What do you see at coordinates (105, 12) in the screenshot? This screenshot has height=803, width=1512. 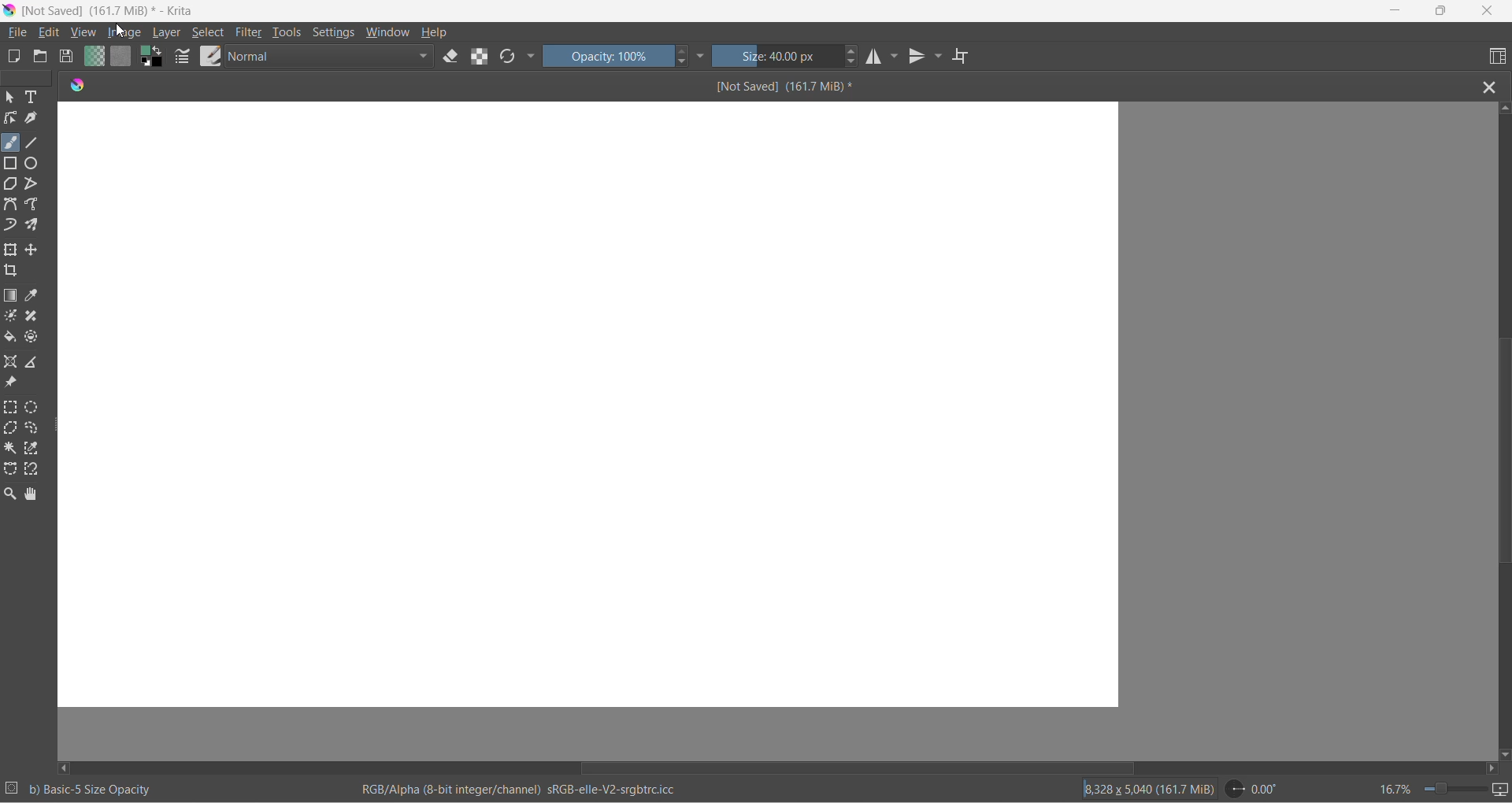 I see `File name and size` at bounding box center [105, 12].